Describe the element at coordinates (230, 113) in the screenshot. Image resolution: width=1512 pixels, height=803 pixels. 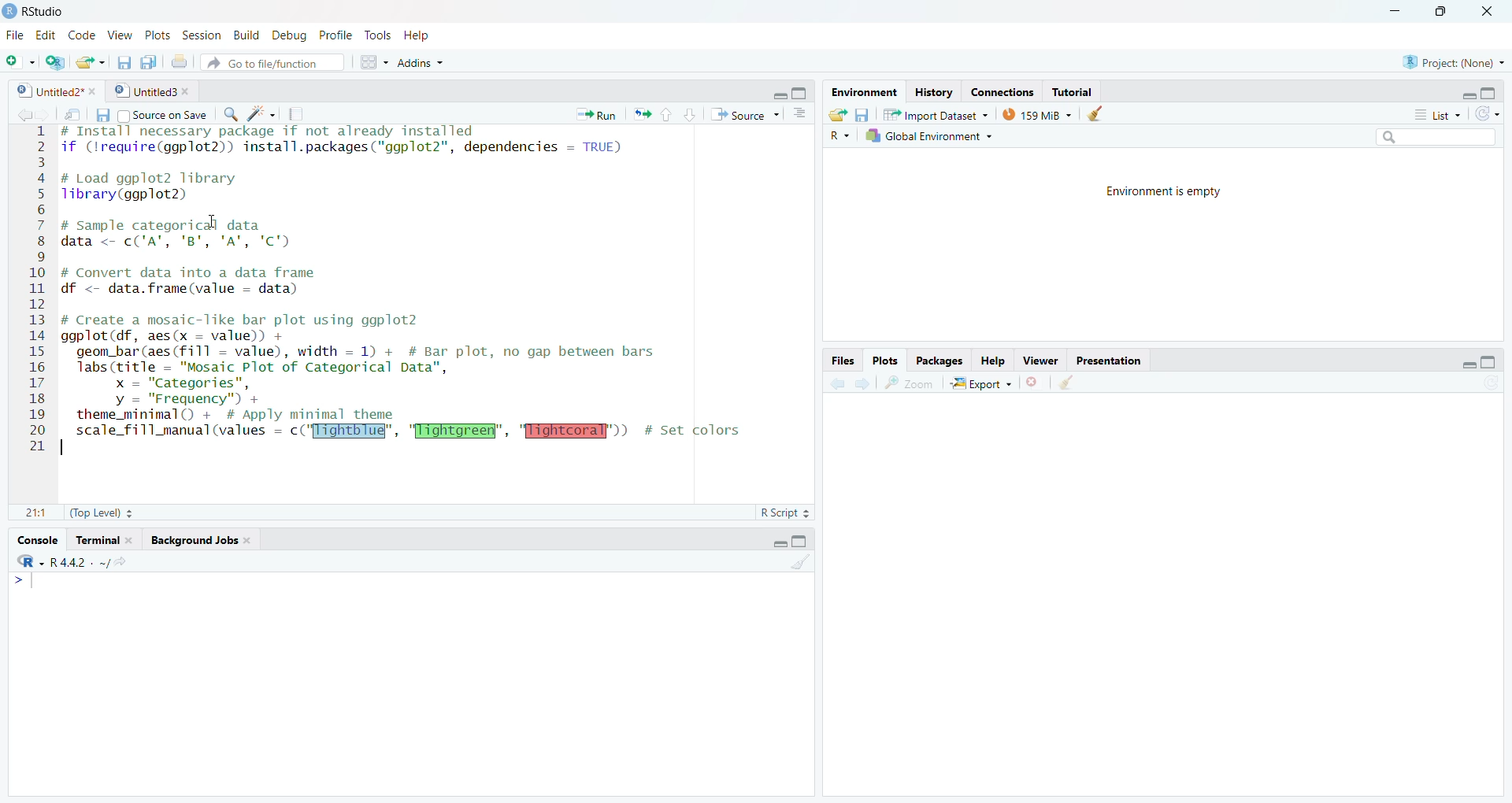
I see `Find/Replace` at that location.